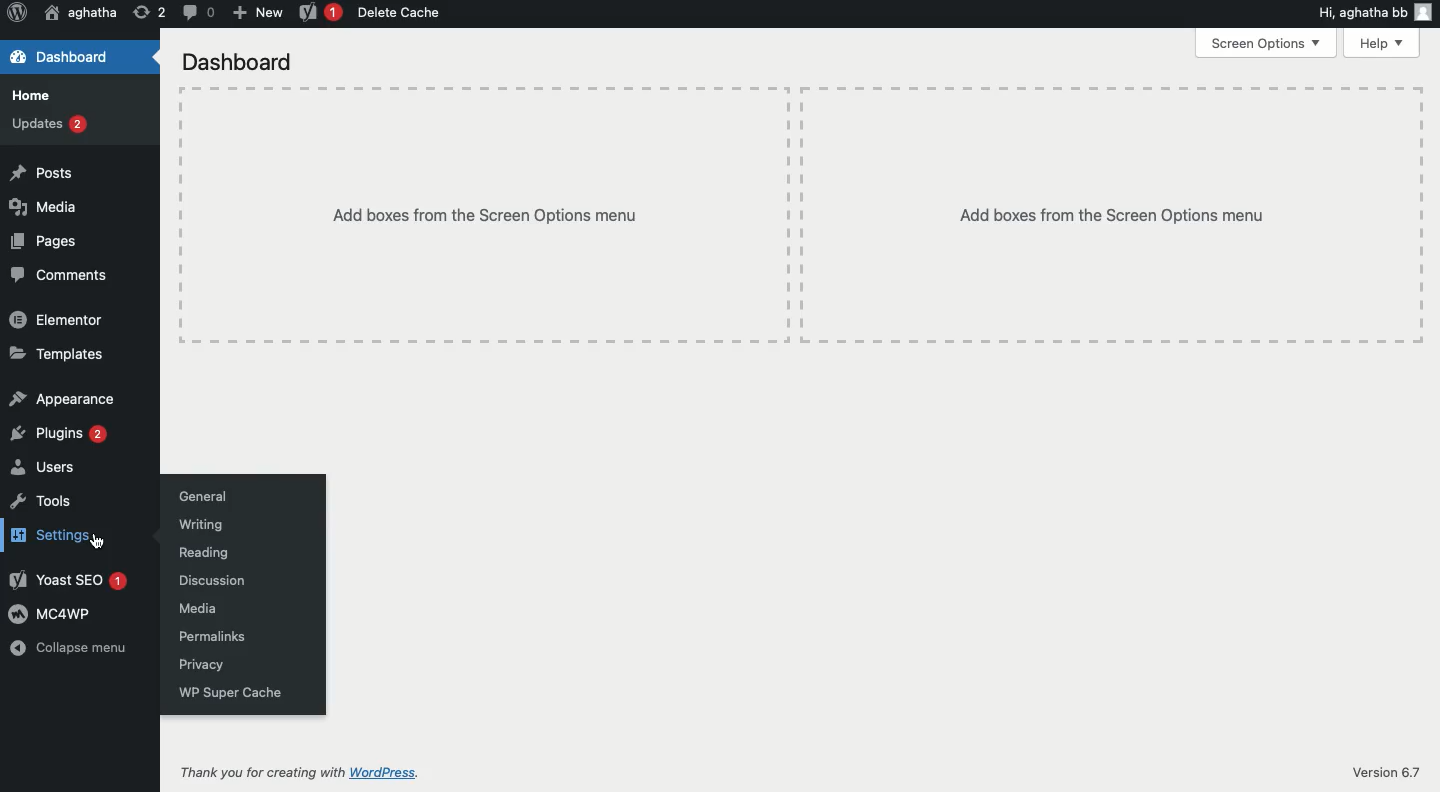  Describe the element at coordinates (237, 63) in the screenshot. I see `Dashboard` at that location.